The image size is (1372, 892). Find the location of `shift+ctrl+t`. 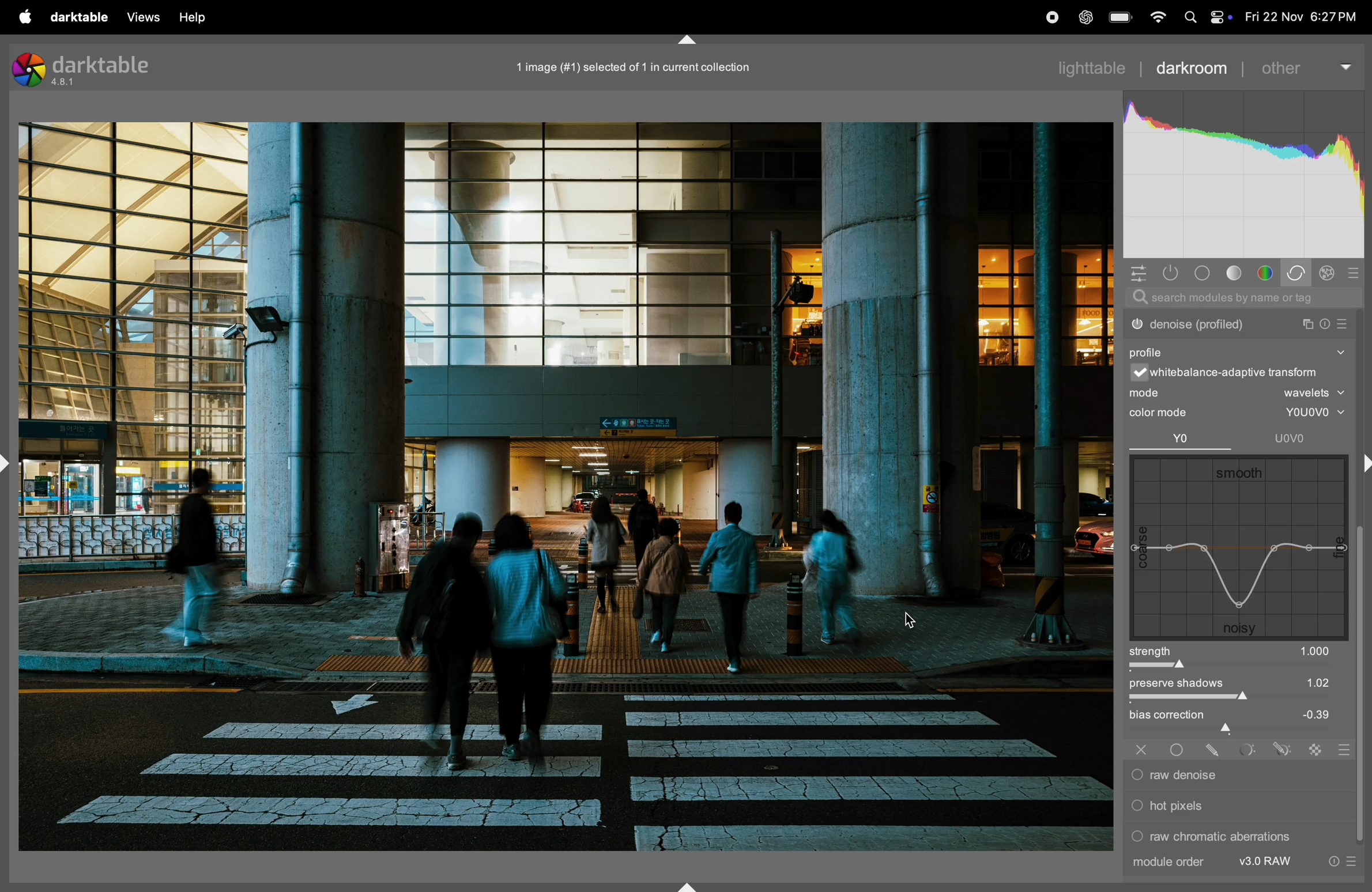

shift+ctrl+t is located at coordinates (687, 40).